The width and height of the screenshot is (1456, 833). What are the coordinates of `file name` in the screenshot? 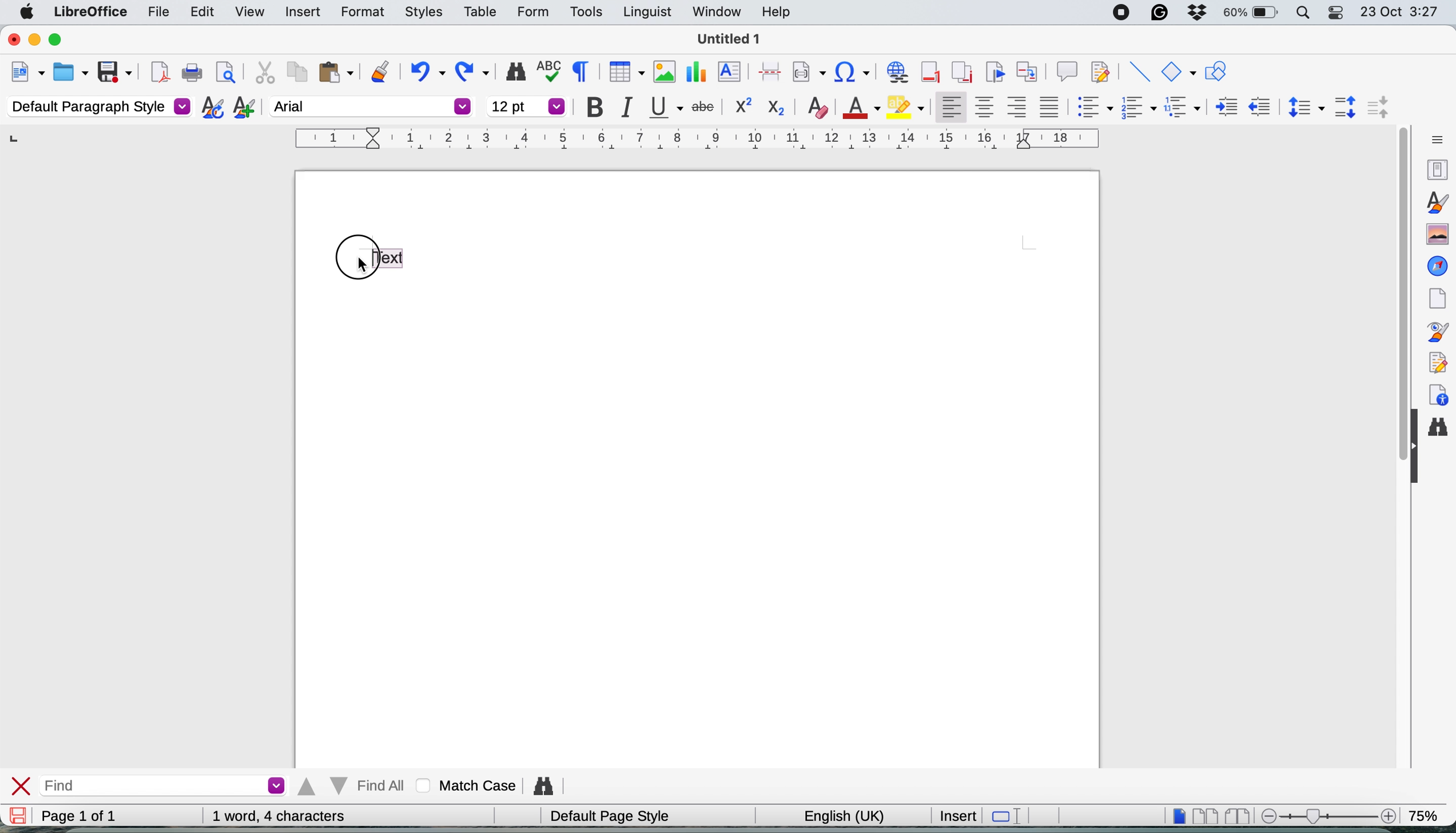 It's located at (730, 39).